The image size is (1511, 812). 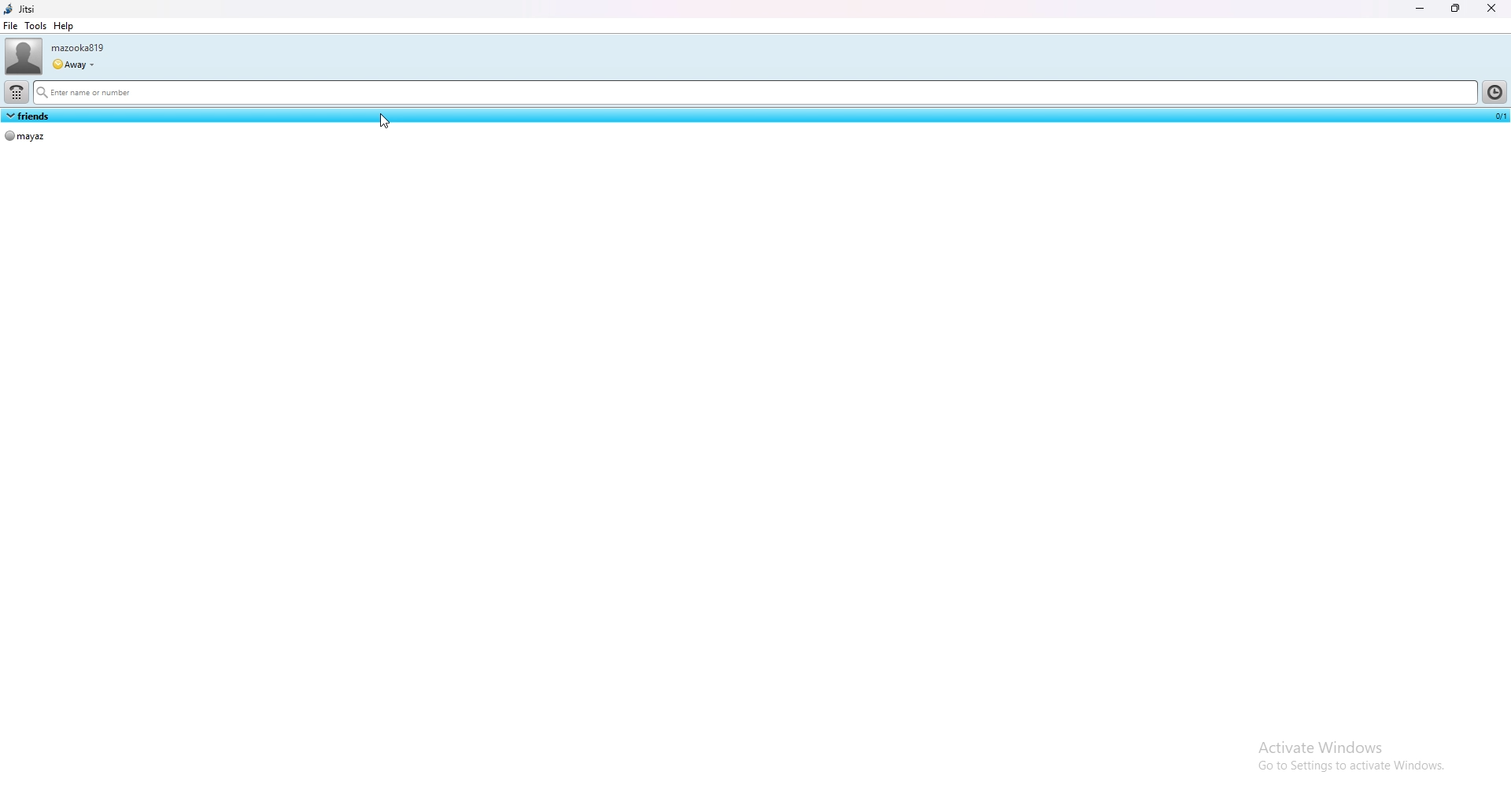 What do you see at coordinates (753, 93) in the screenshot?
I see `search bar` at bounding box center [753, 93].